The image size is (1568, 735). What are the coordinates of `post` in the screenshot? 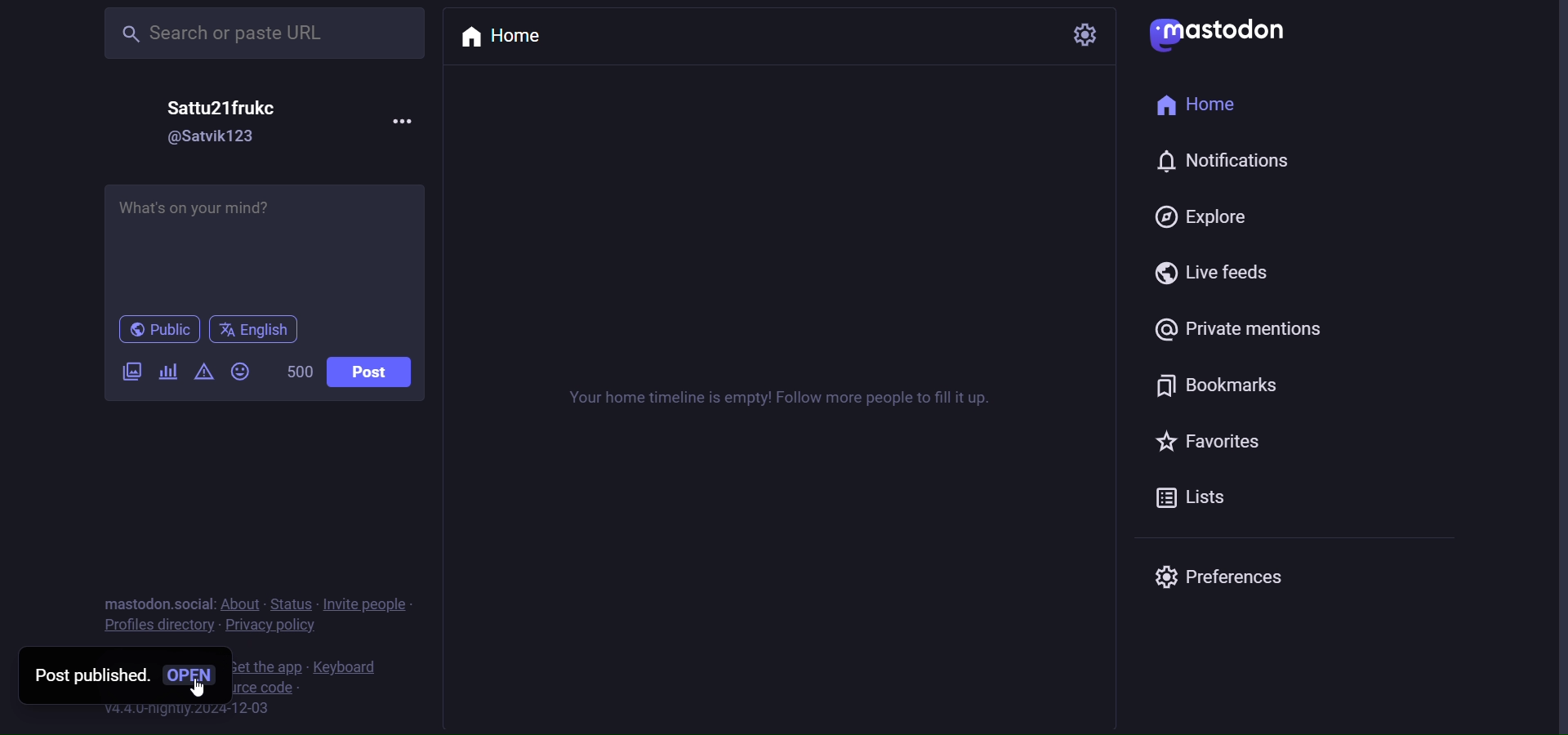 It's located at (372, 374).